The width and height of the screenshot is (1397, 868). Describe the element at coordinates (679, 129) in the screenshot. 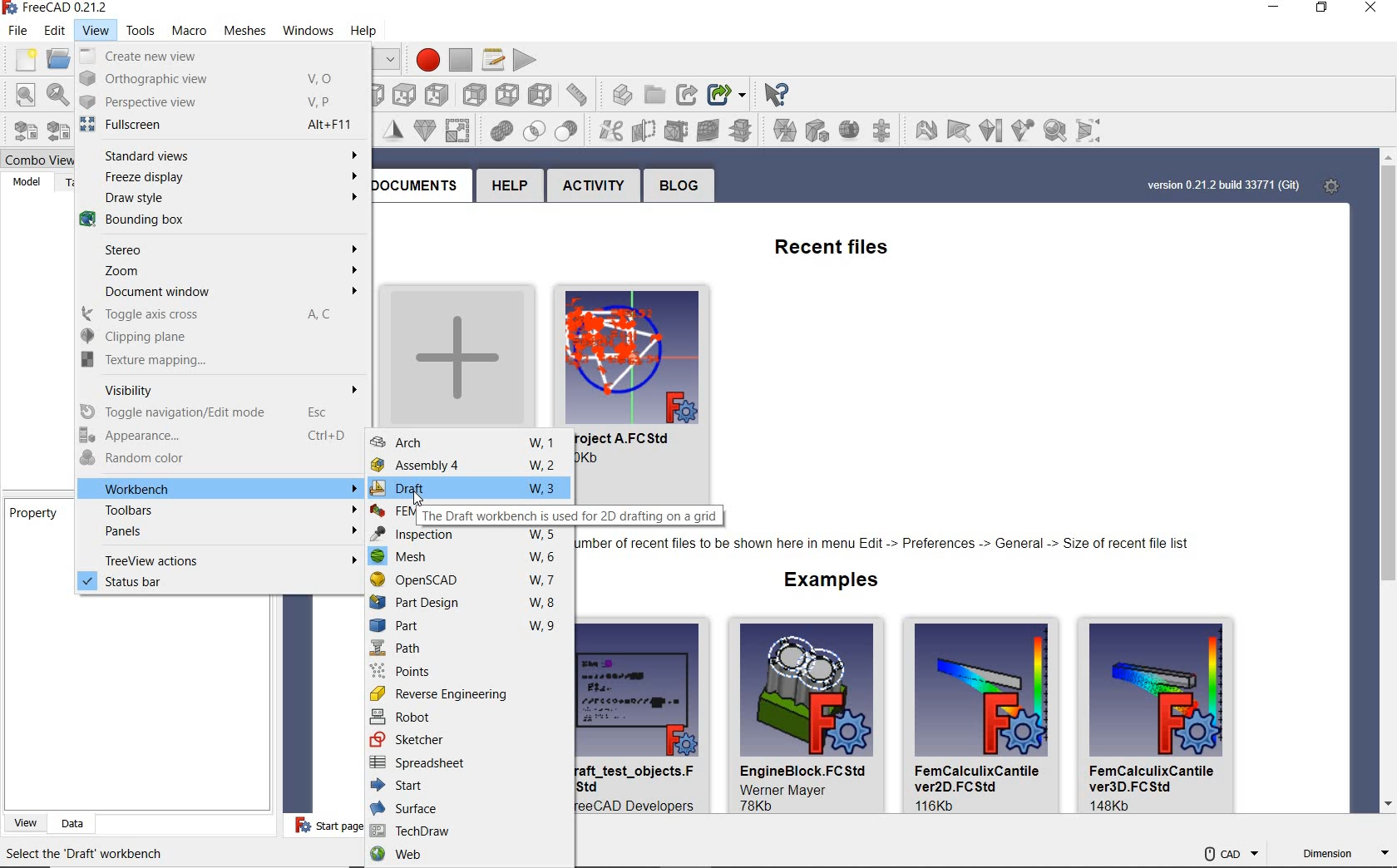

I see `create section from mesh and plane` at that location.